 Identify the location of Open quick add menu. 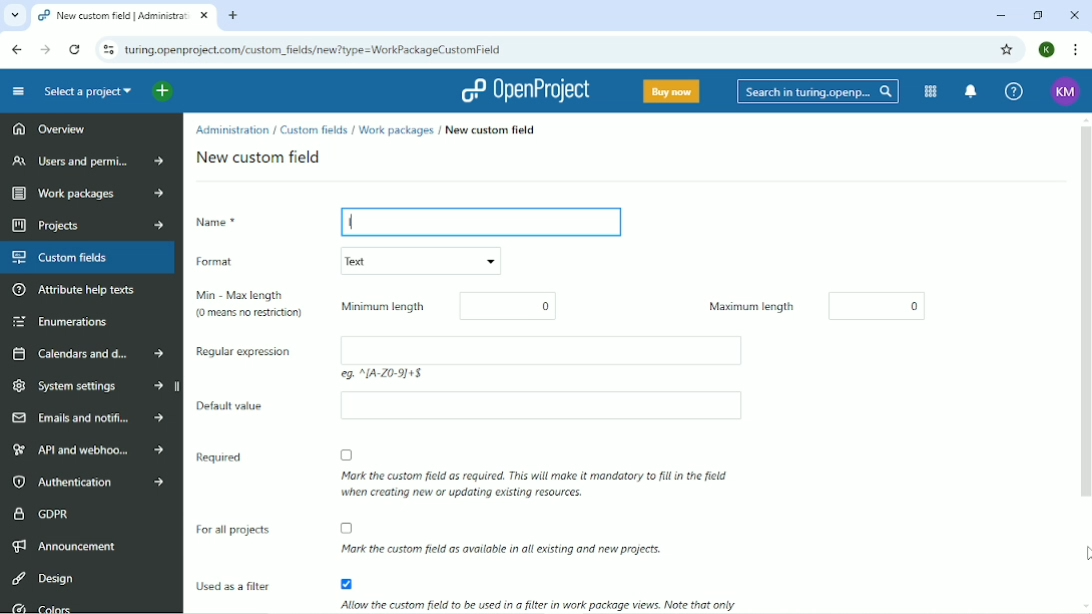
(175, 91).